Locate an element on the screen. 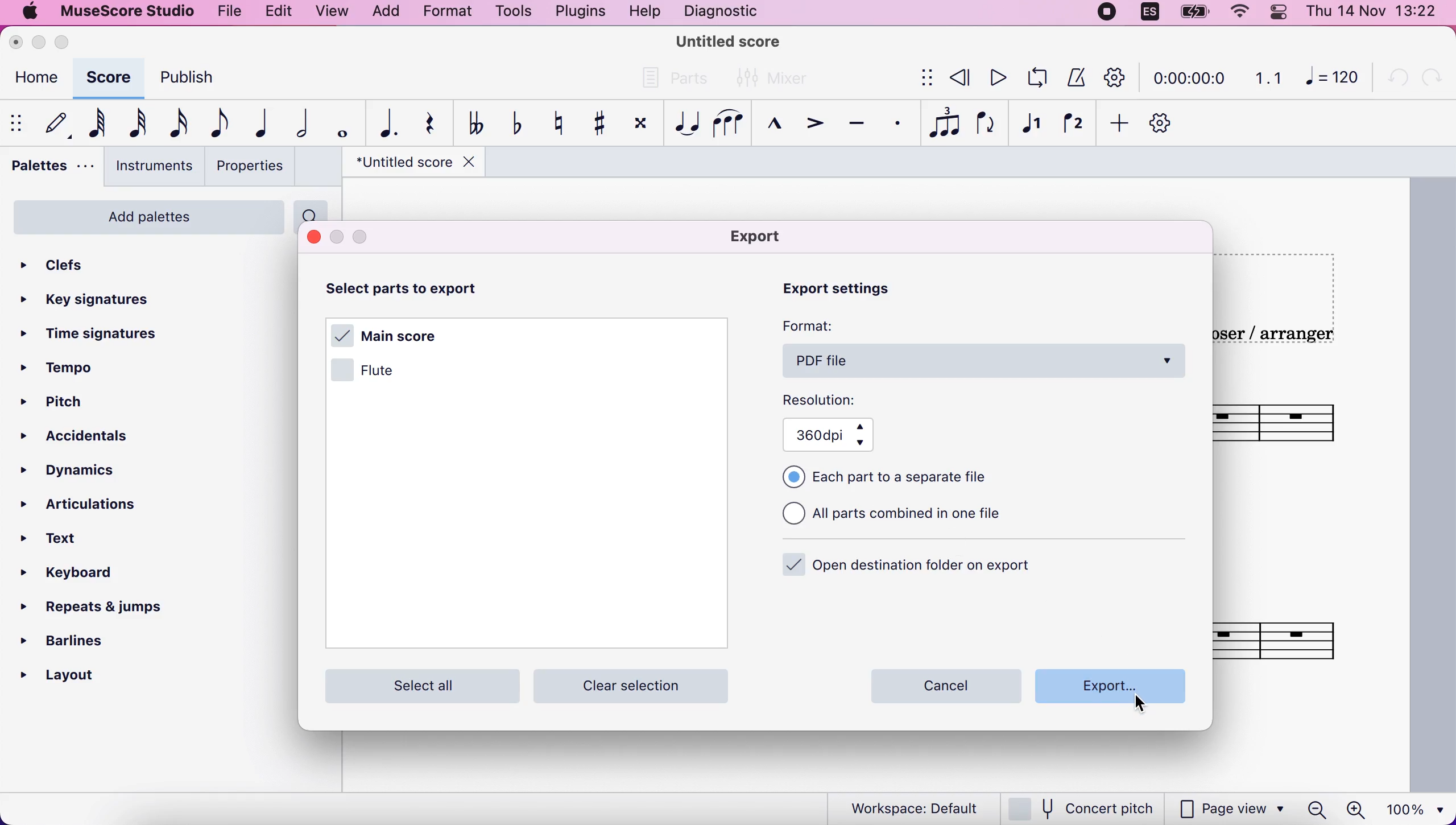  workspace default is located at coordinates (907, 807).